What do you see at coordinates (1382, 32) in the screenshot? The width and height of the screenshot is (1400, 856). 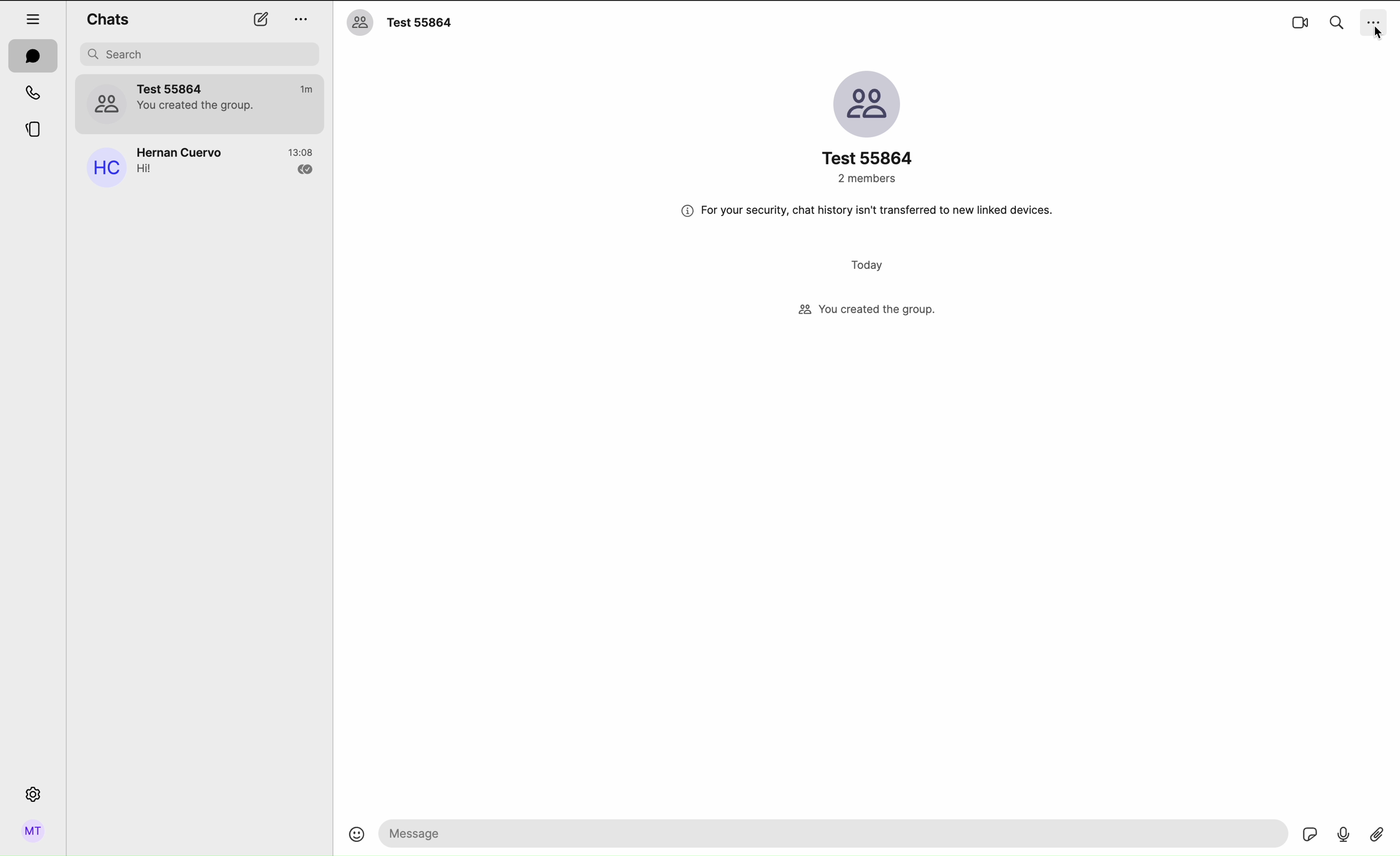 I see `cursor` at bounding box center [1382, 32].